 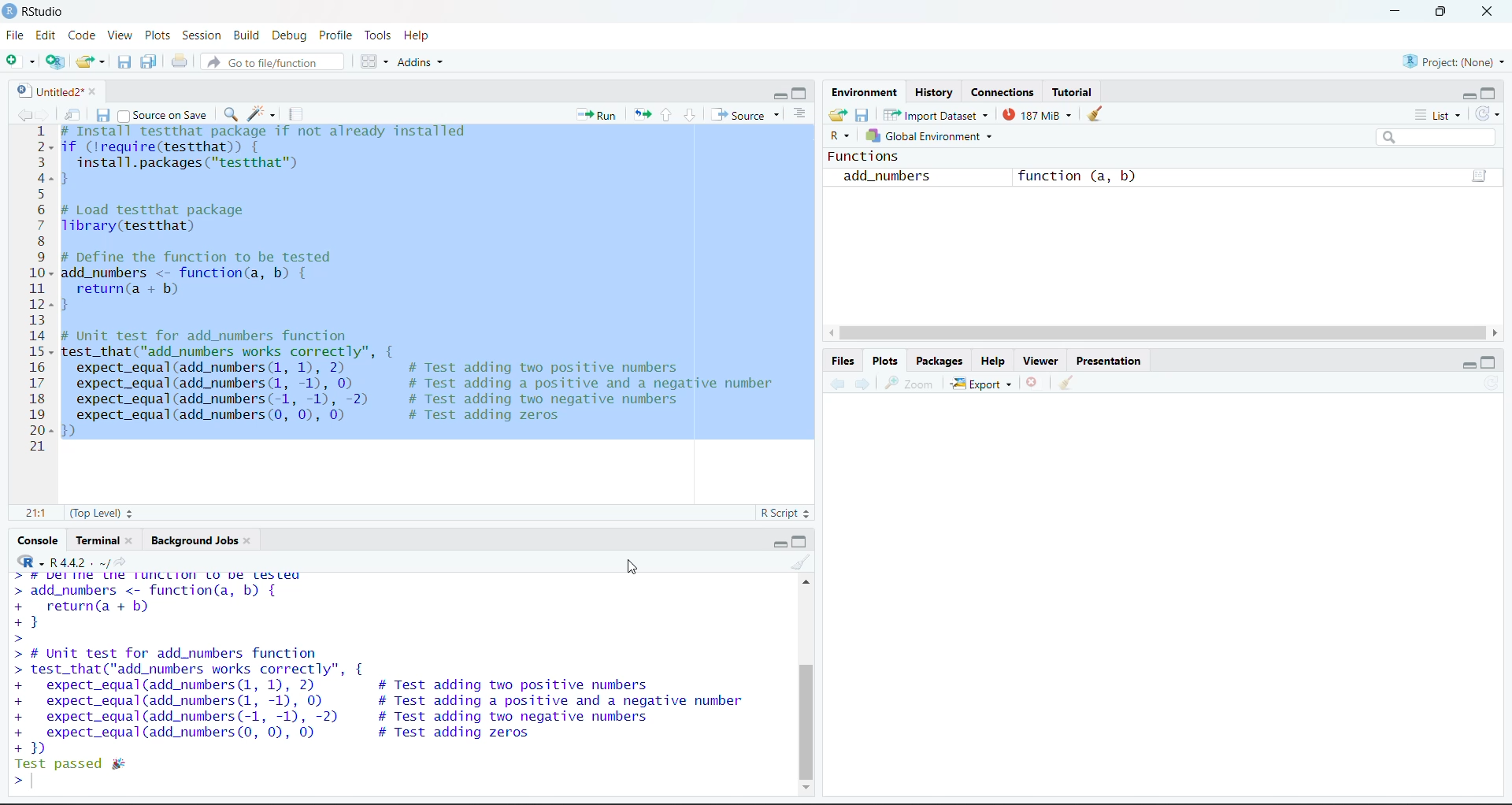 What do you see at coordinates (380, 33) in the screenshot?
I see `Tools` at bounding box center [380, 33].